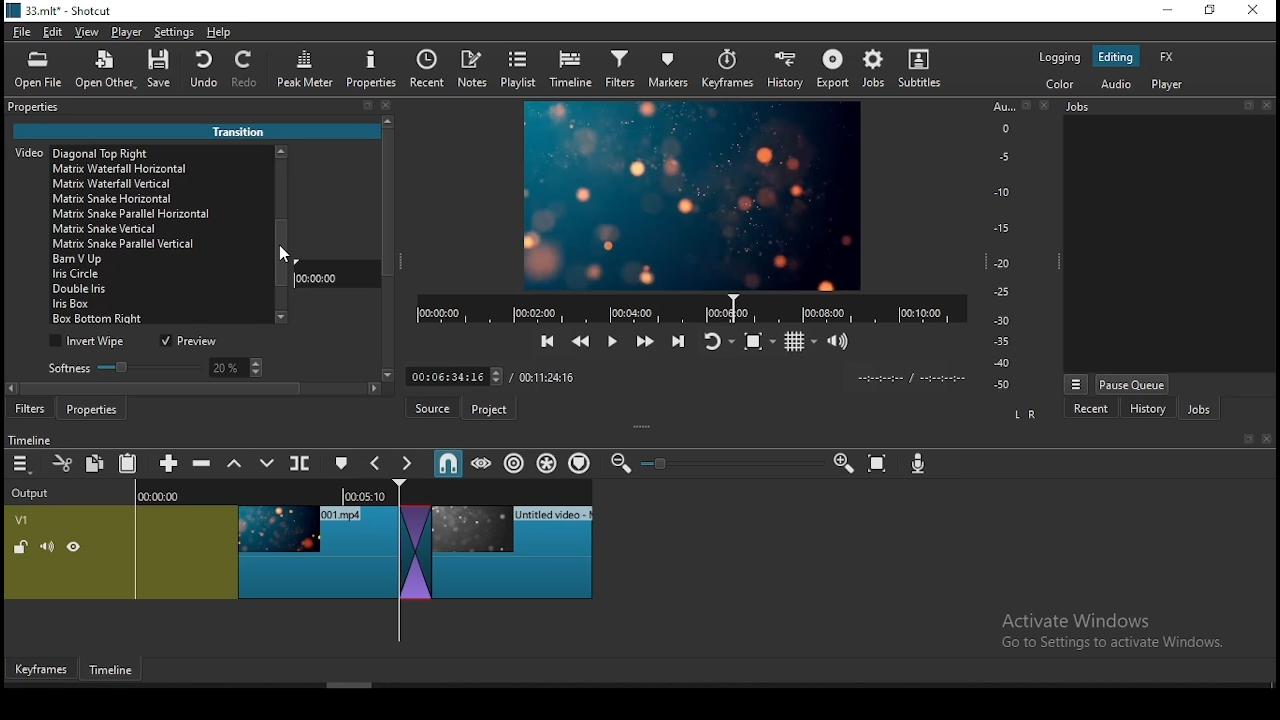 This screenshot has height=720, width=1280. What do you see at coordinates (267, 464) in the screenshot?
I see `overwrite` at bounding box center [267, 464].